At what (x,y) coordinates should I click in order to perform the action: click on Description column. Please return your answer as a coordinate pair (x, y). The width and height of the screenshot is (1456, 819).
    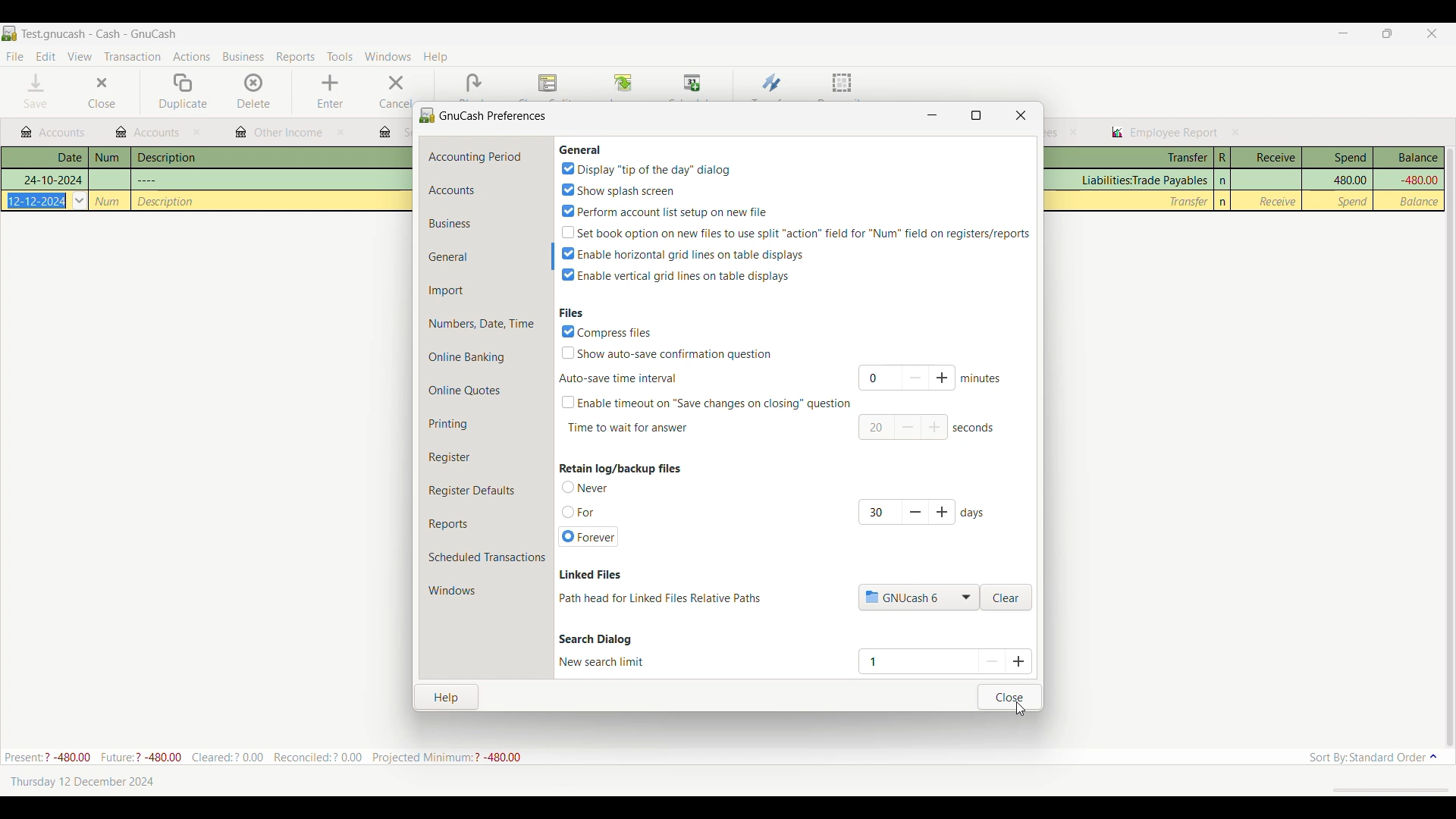
    Looking at the image, I should click on (271, 157).